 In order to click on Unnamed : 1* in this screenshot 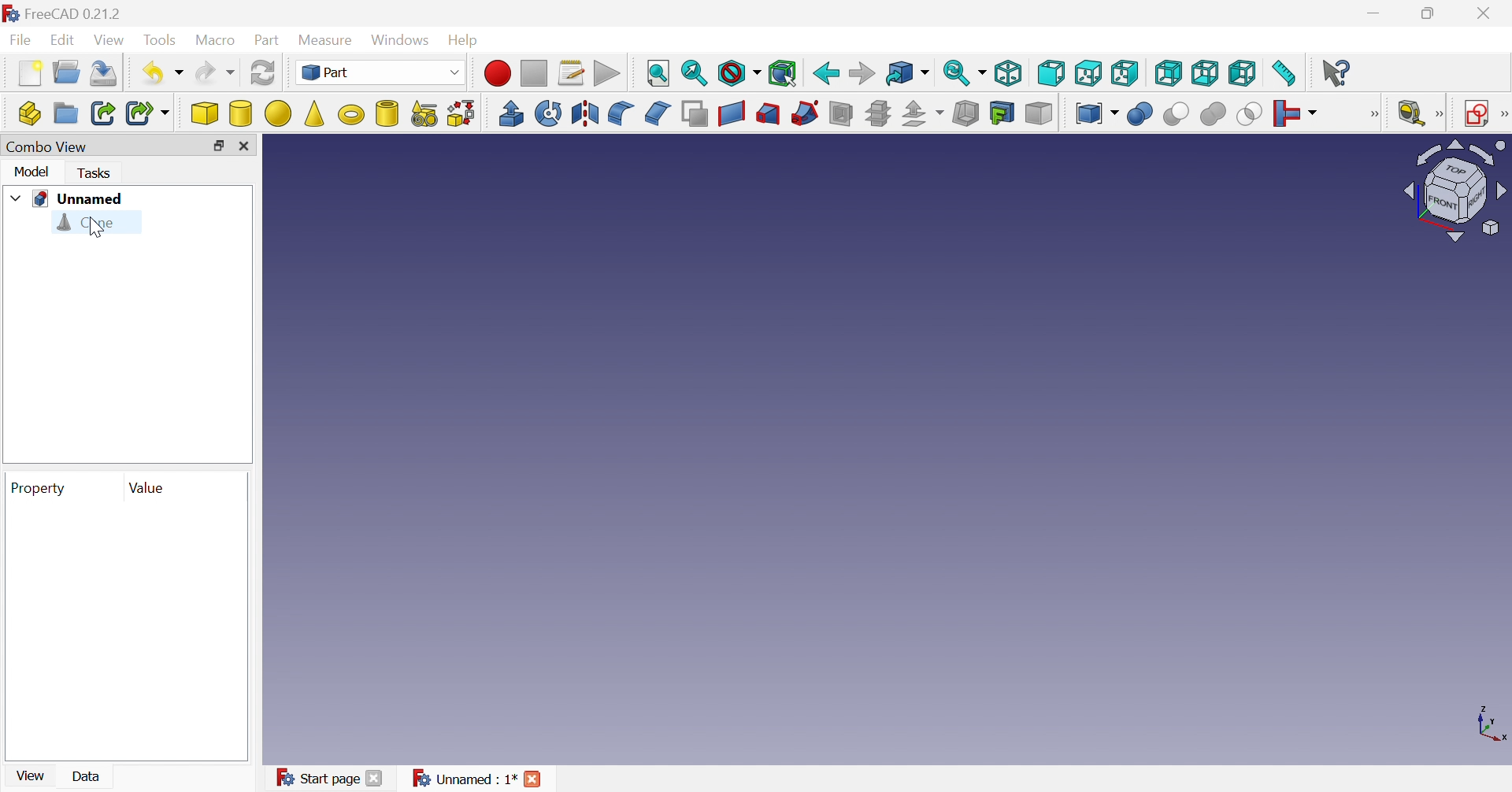, I will do `click(465, 779)`.